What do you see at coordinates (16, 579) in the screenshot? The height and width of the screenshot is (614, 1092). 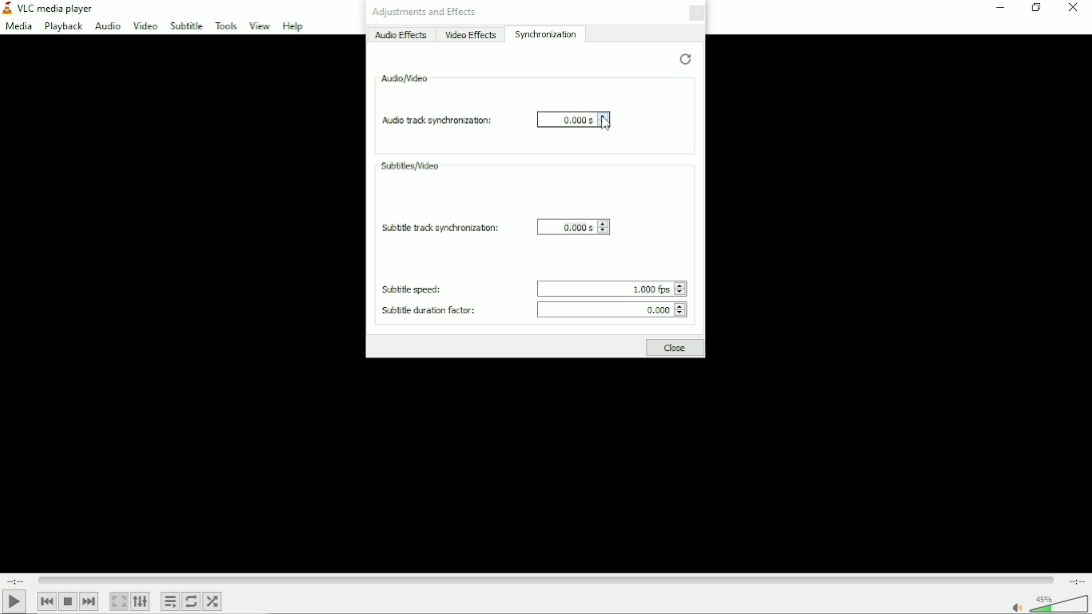 I see `Elapsed time` at bounding box center [16, 579].